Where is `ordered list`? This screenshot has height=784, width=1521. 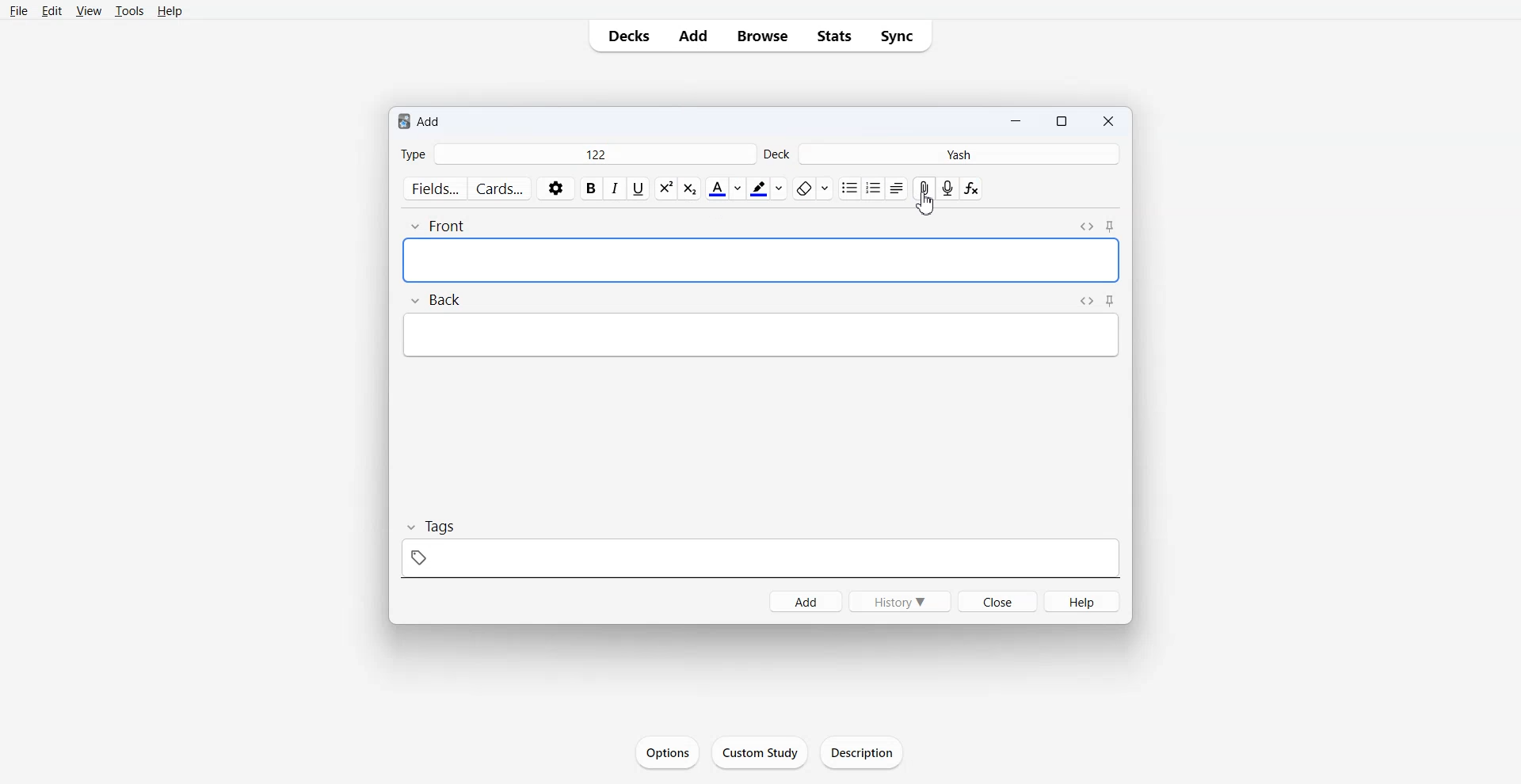 ordered list is located at coordinates (873, 188).